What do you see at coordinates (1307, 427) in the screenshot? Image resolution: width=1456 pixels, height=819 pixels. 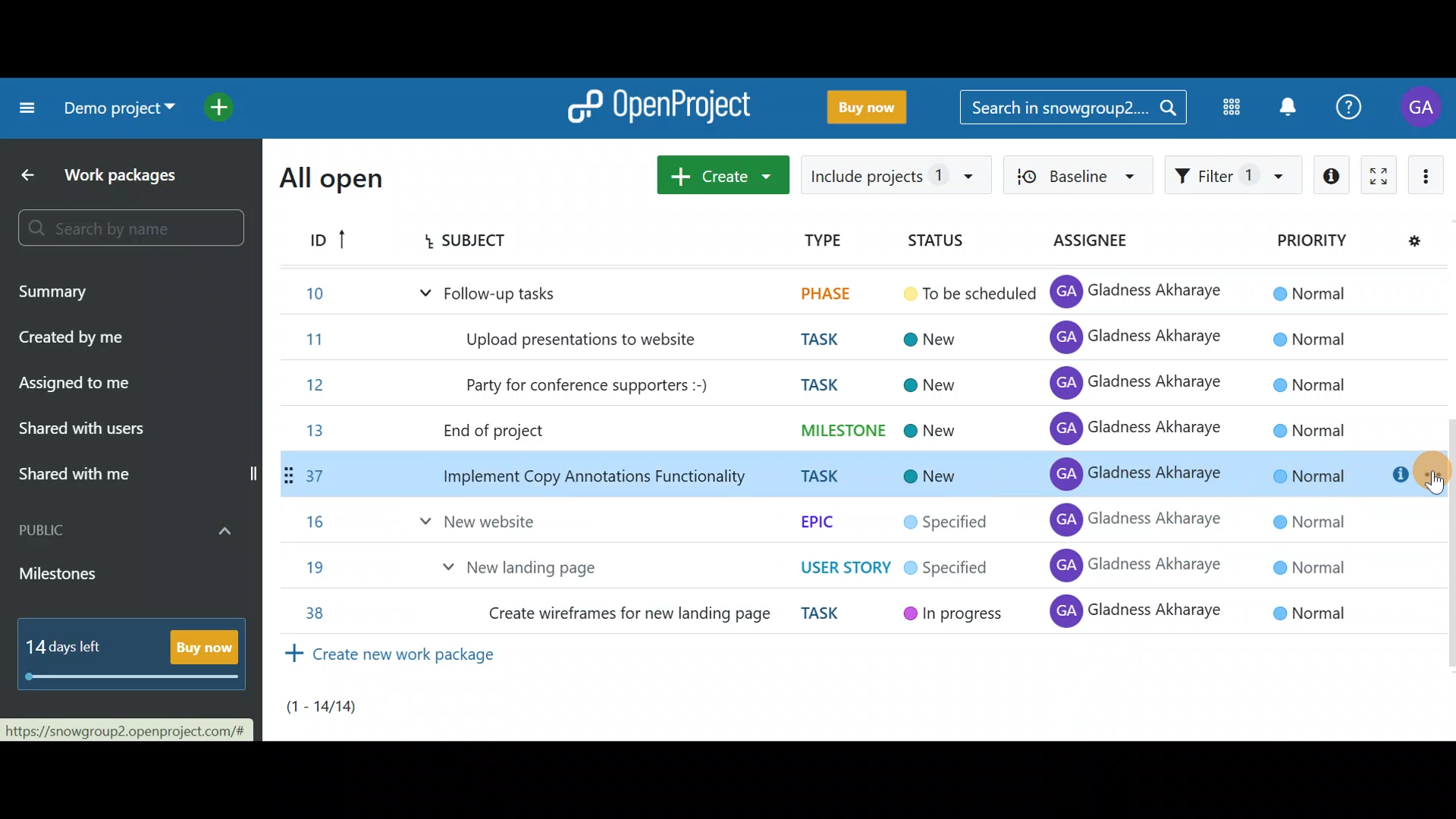 I see `© Normal` at bounding box center [1307, 427].